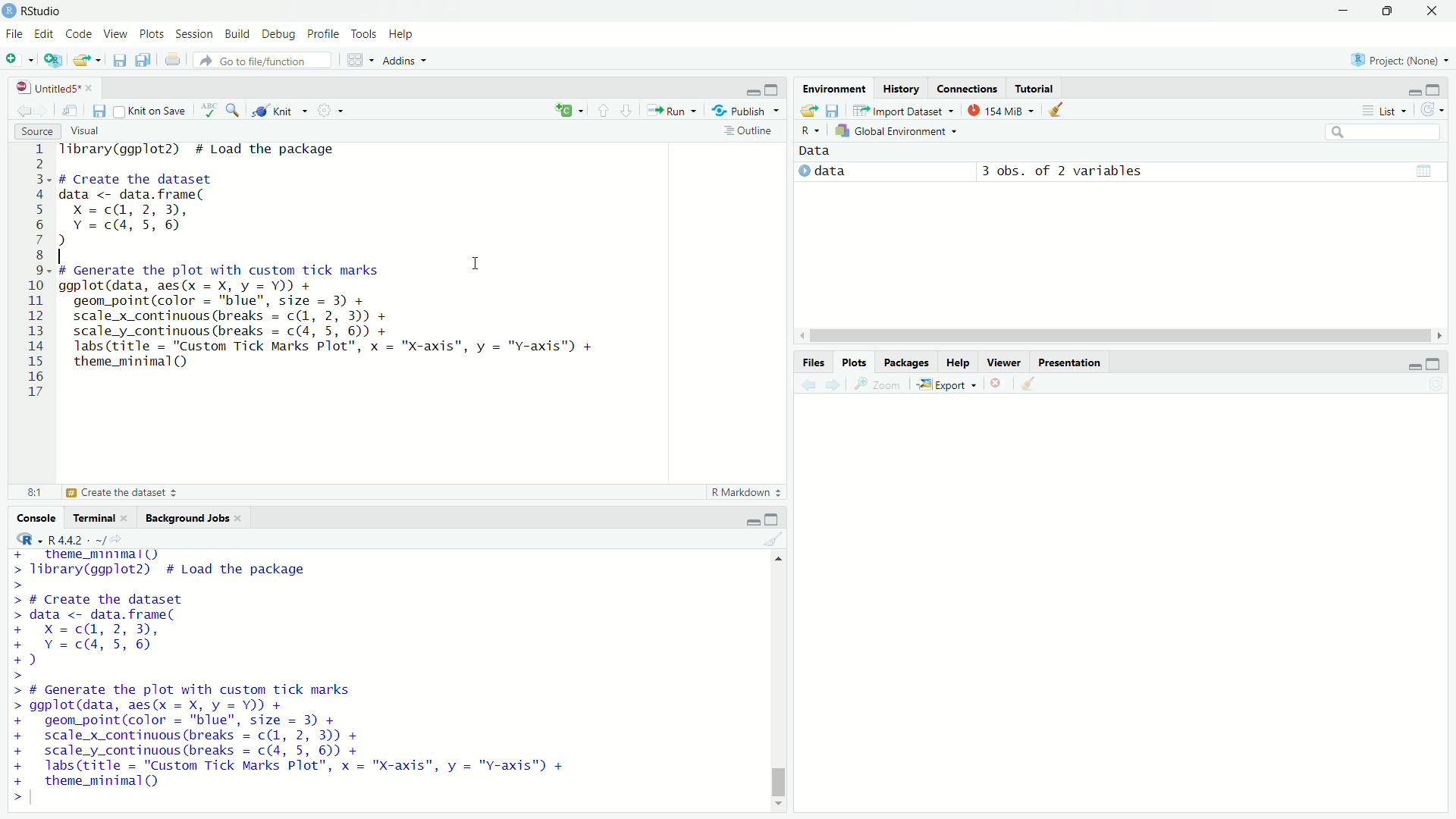 The height and width of the screenshot is (819, 1456). I want to click on clear all plots, so click(1028, 384).